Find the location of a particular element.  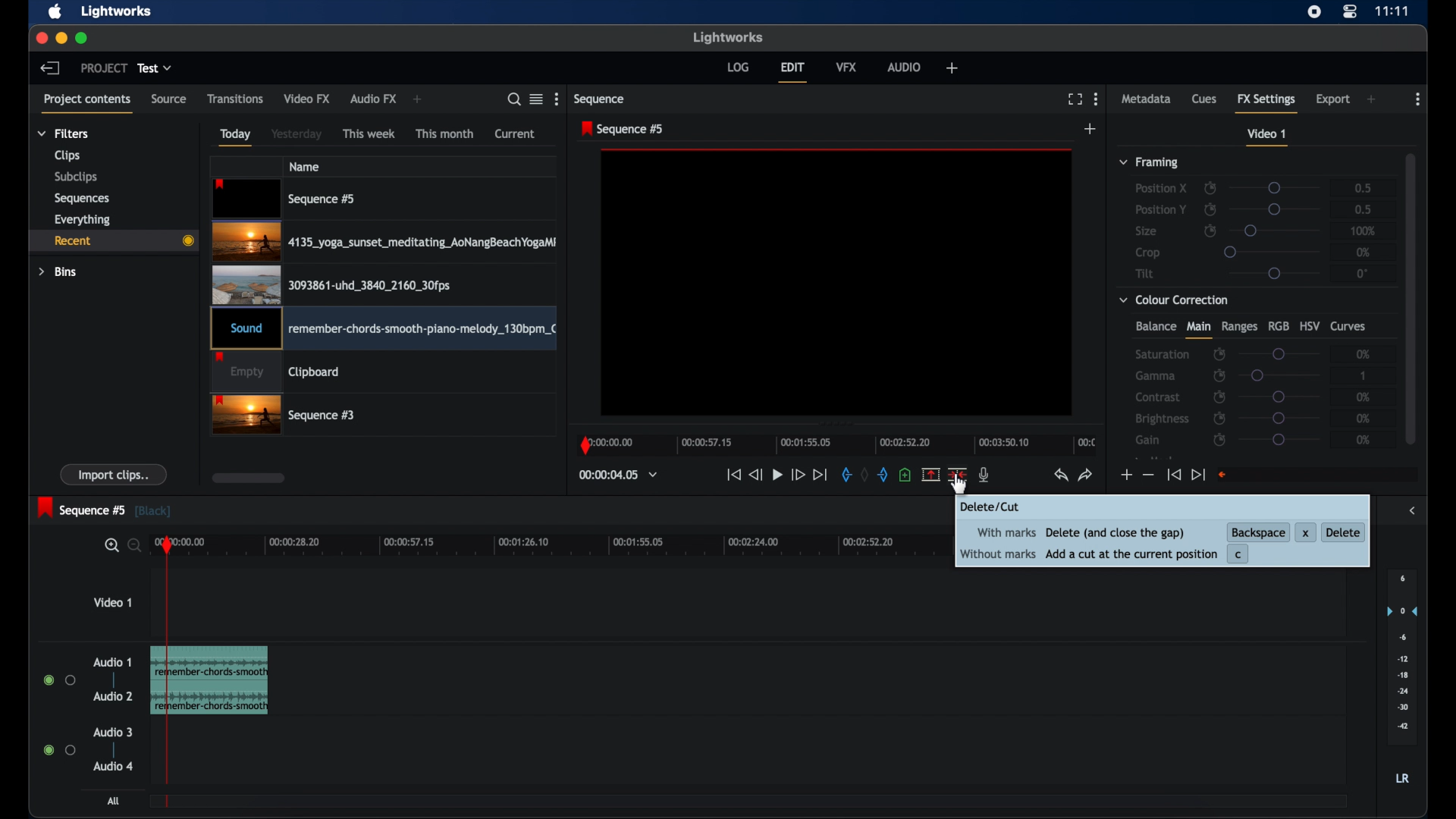

bins is located at coordinates (58, 272).